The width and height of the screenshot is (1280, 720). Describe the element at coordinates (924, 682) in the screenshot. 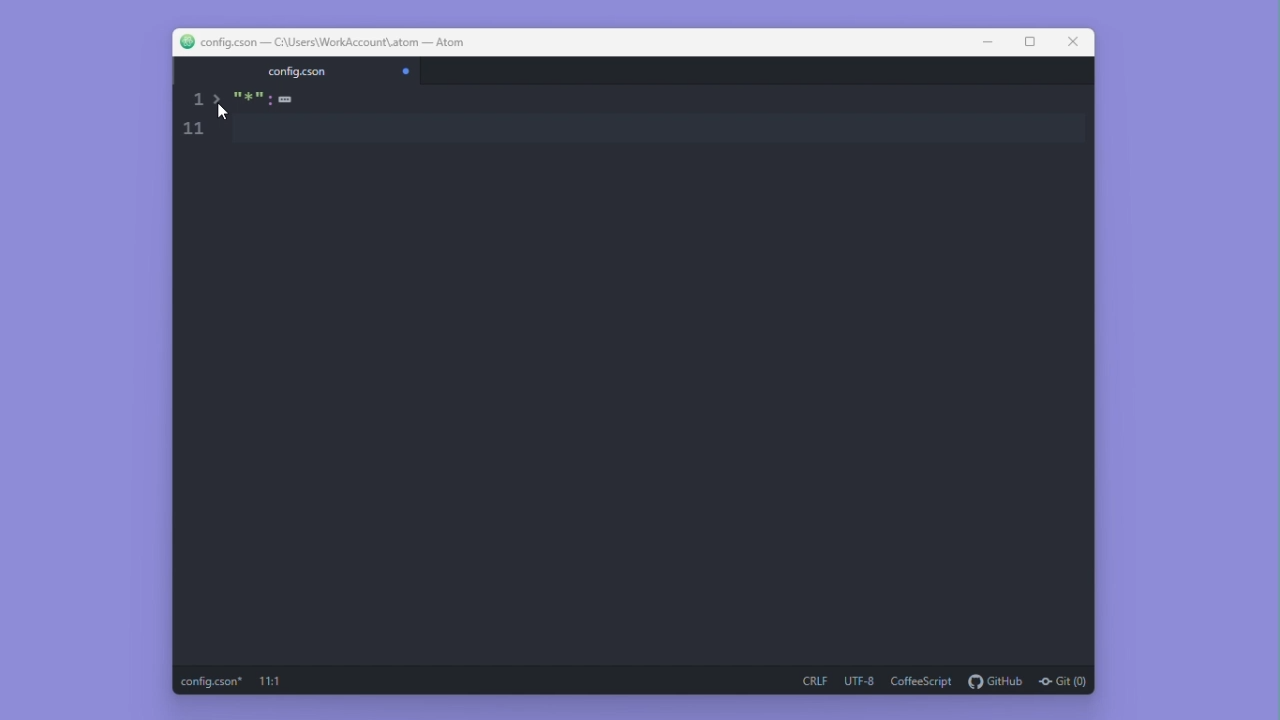

I see `coffeescript` at that location.